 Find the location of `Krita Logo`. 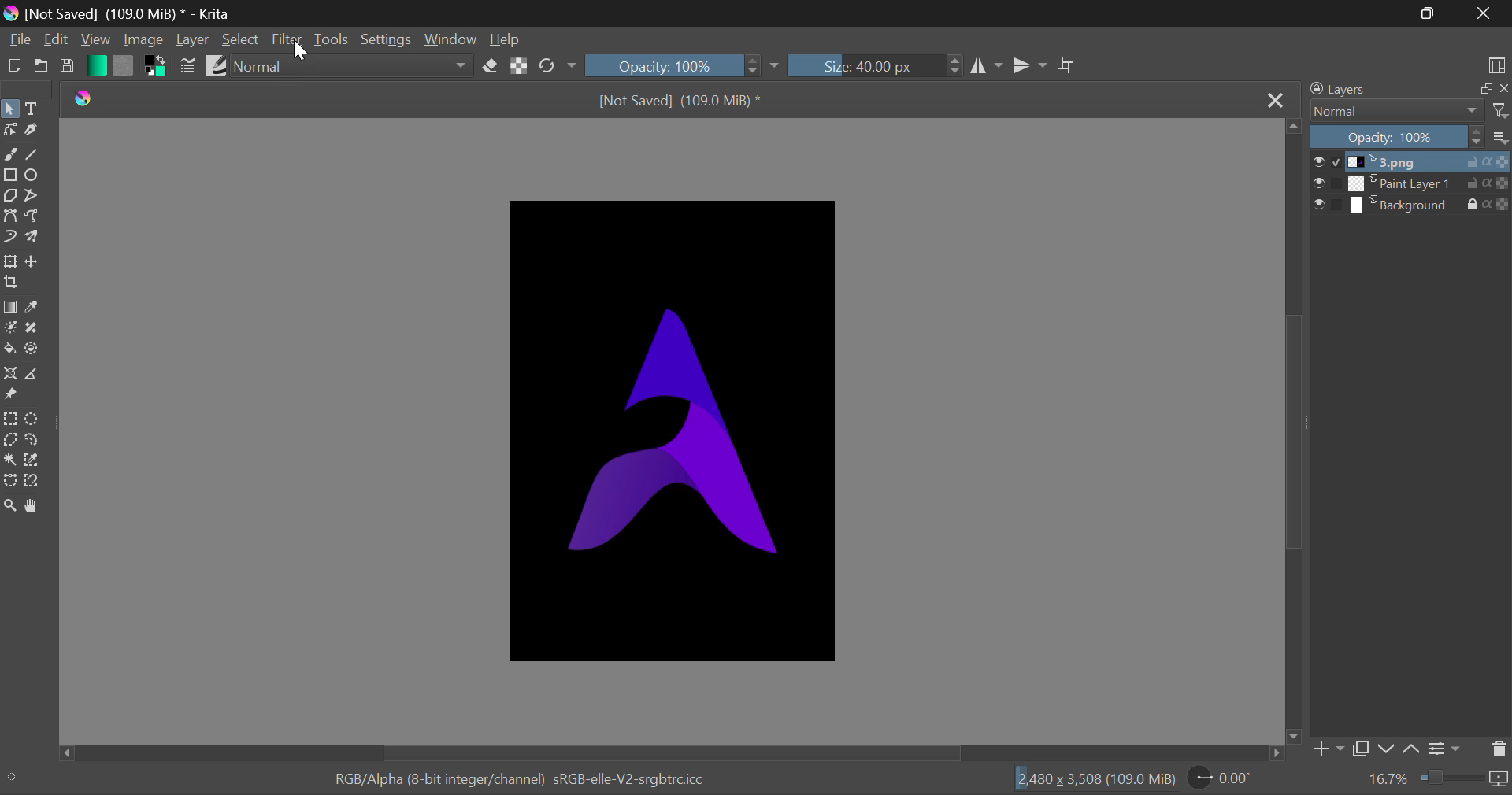

Krita Logo is located at coordinates (87, 100).